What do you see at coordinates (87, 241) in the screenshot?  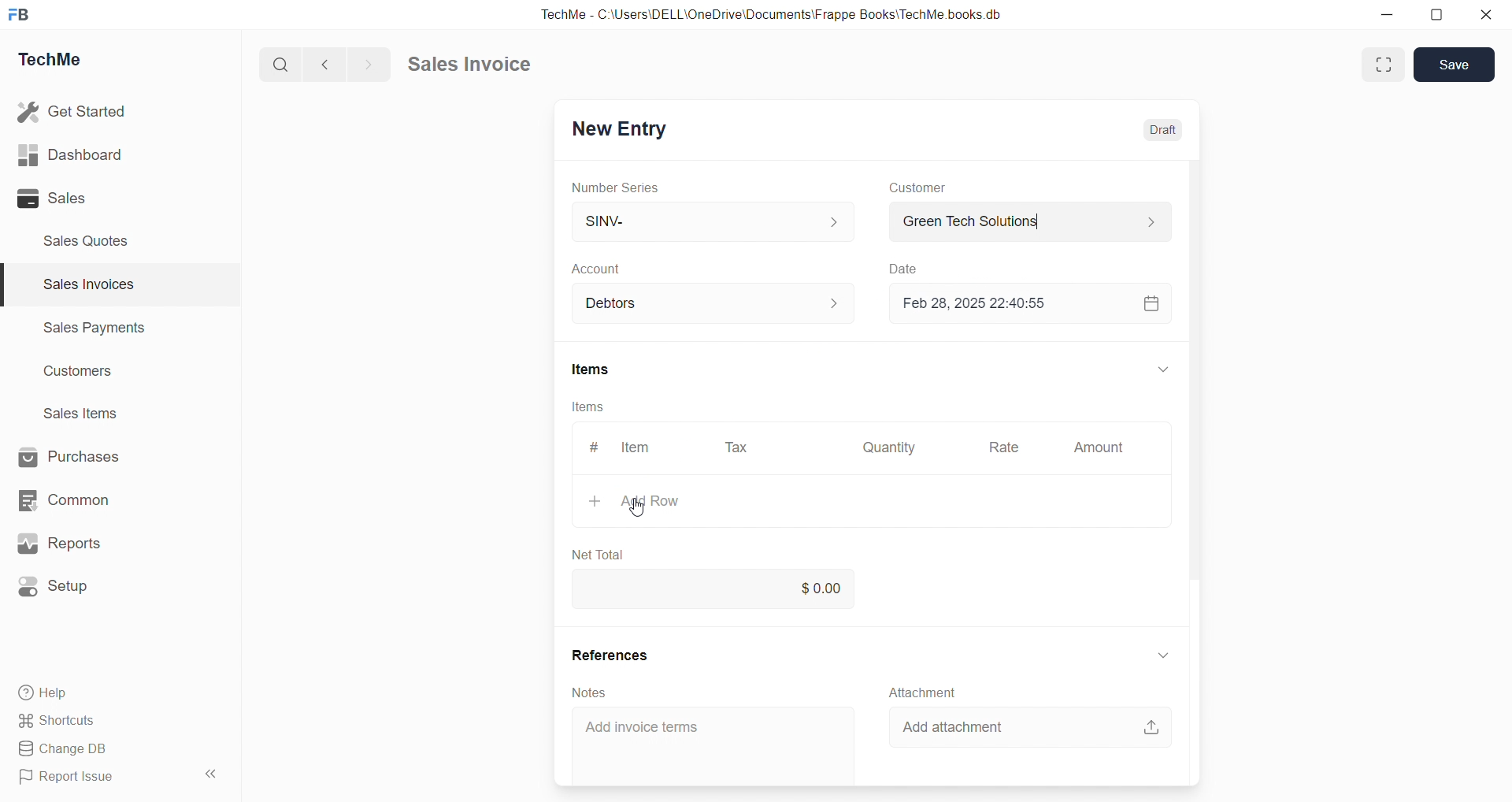 I see `Sales Quotes` at bounding box center [87, 241].